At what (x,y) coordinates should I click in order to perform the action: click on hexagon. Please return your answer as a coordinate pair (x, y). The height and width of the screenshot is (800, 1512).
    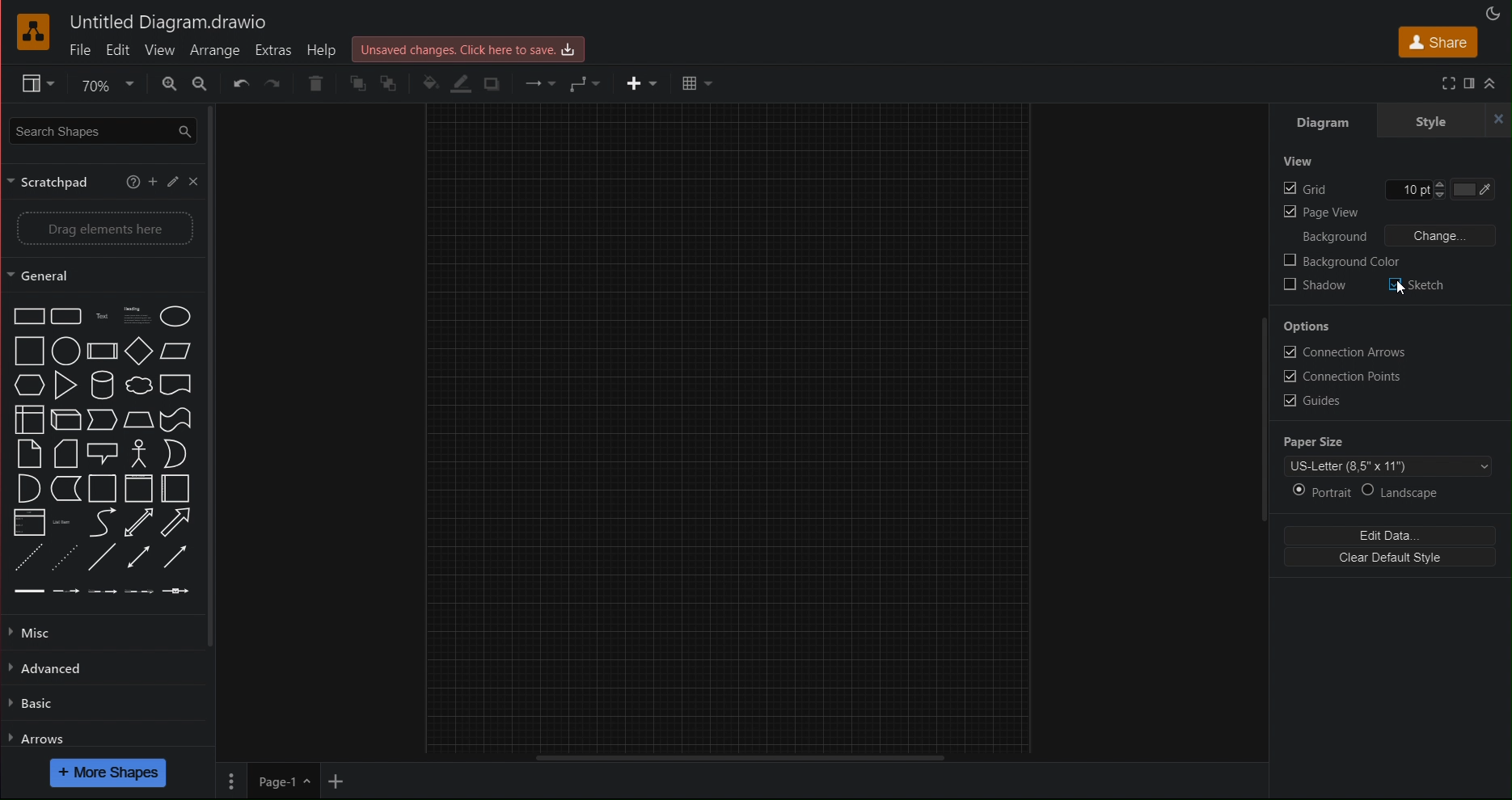
    Looking at the image, I should click on (29, 386).